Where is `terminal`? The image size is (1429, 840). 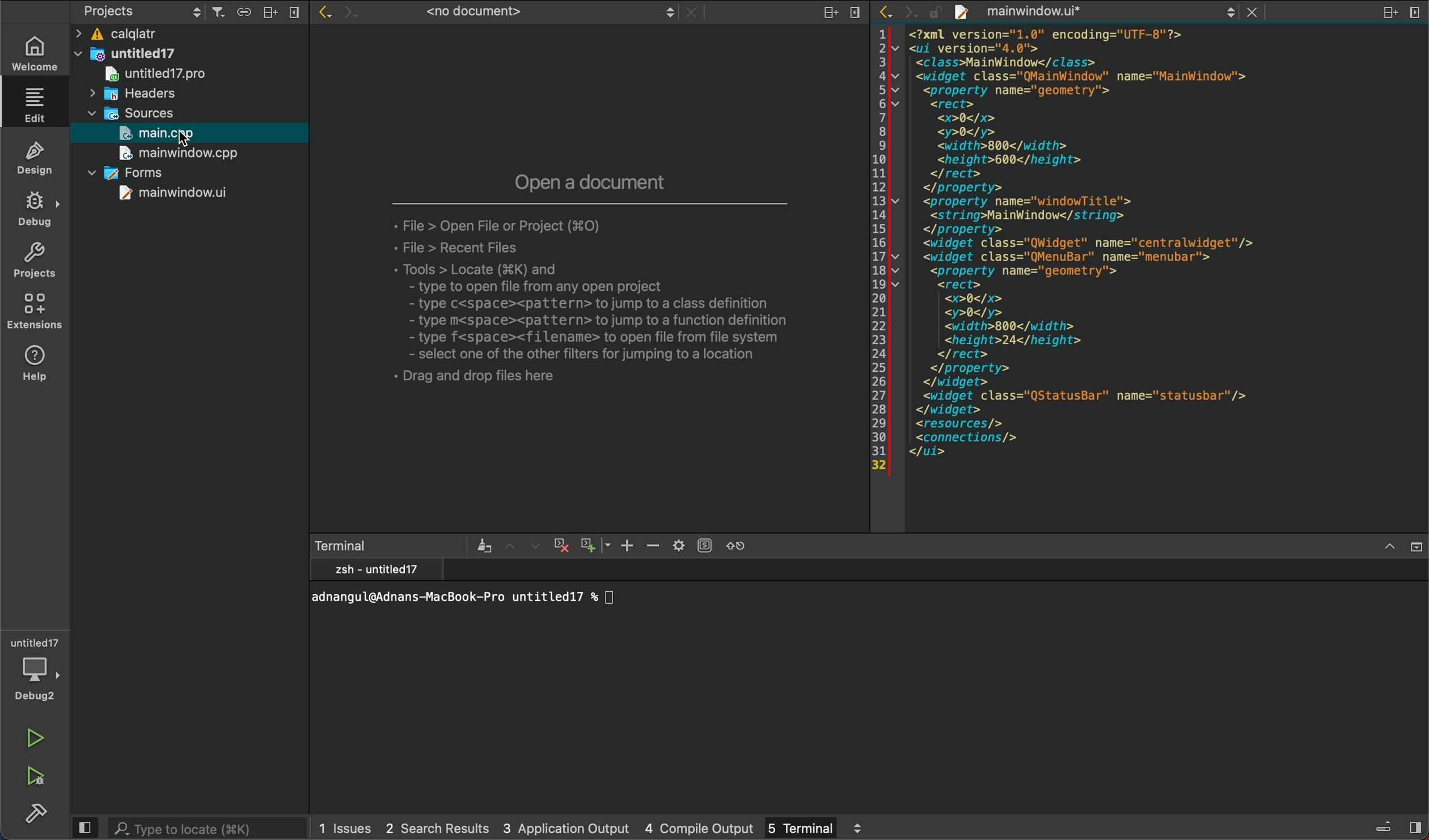
terminal is located at coordinates (813, 826).